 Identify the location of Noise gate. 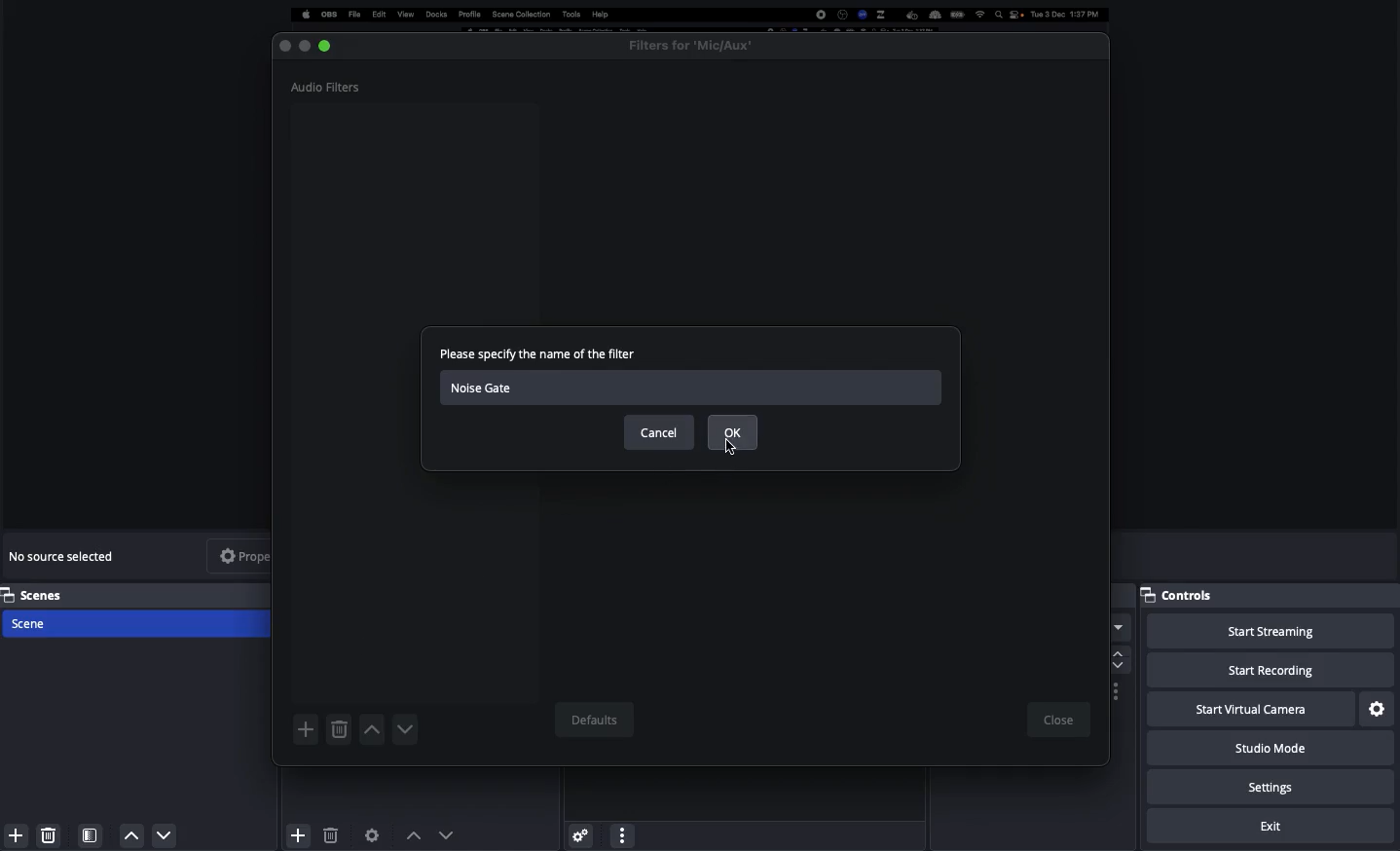
(694, 388).